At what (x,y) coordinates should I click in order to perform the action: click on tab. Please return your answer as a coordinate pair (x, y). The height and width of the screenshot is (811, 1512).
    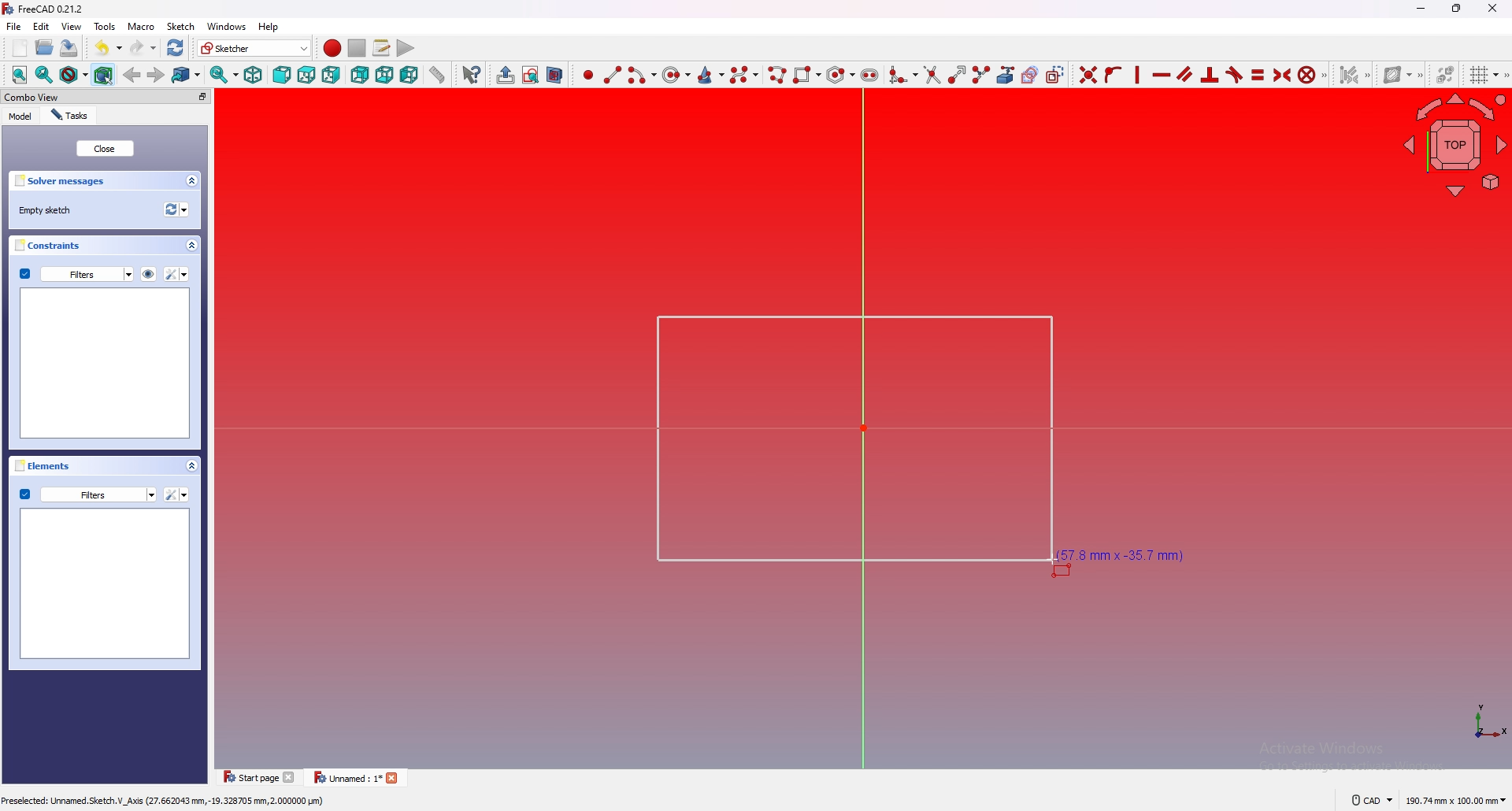
    Looking at the image, I should click on (260, 777).